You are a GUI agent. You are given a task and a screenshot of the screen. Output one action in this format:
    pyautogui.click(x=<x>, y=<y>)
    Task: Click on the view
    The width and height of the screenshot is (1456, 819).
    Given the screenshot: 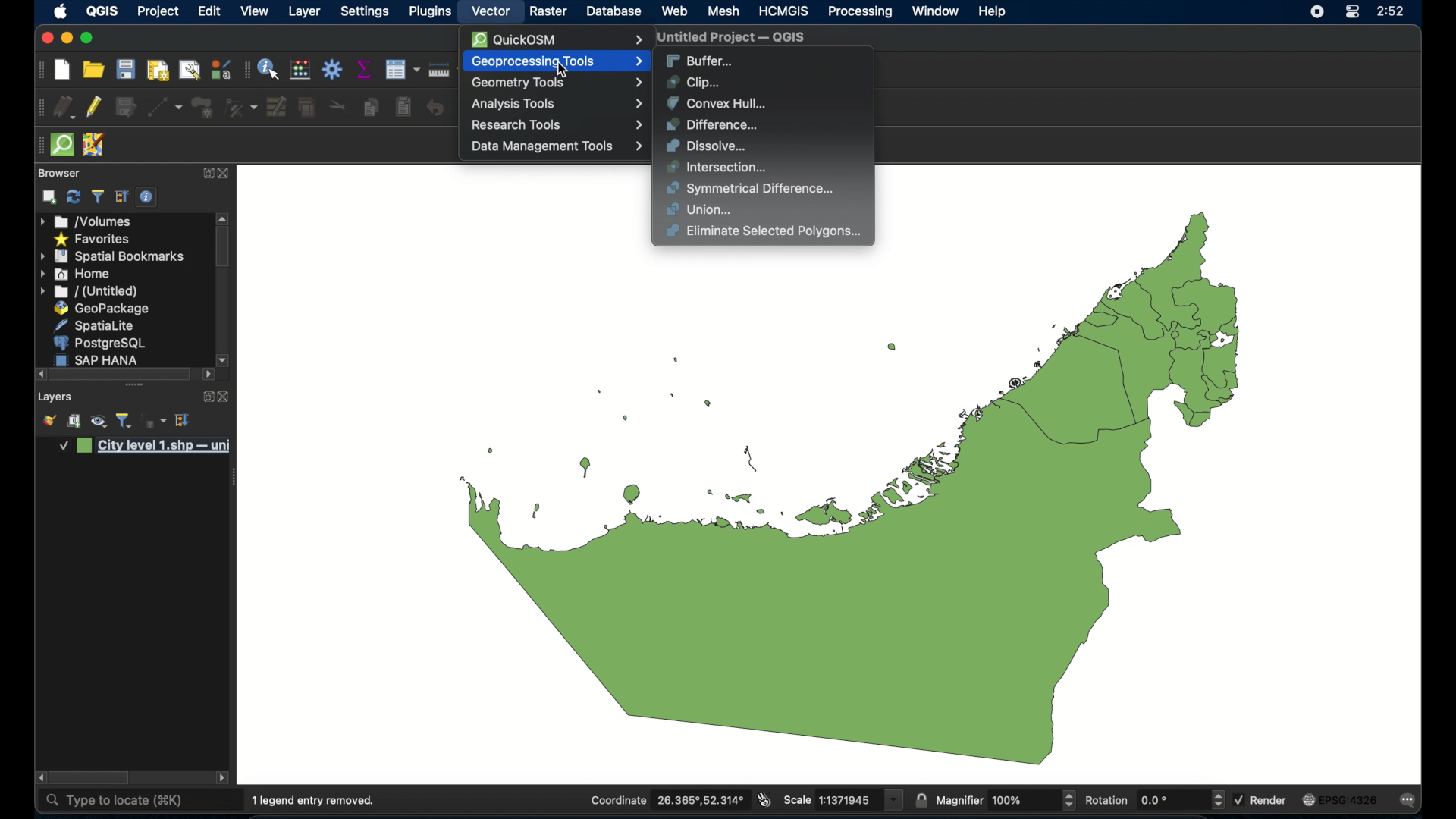 What is the action you would take?
    pyautogui.click(x=254, y=11)
    